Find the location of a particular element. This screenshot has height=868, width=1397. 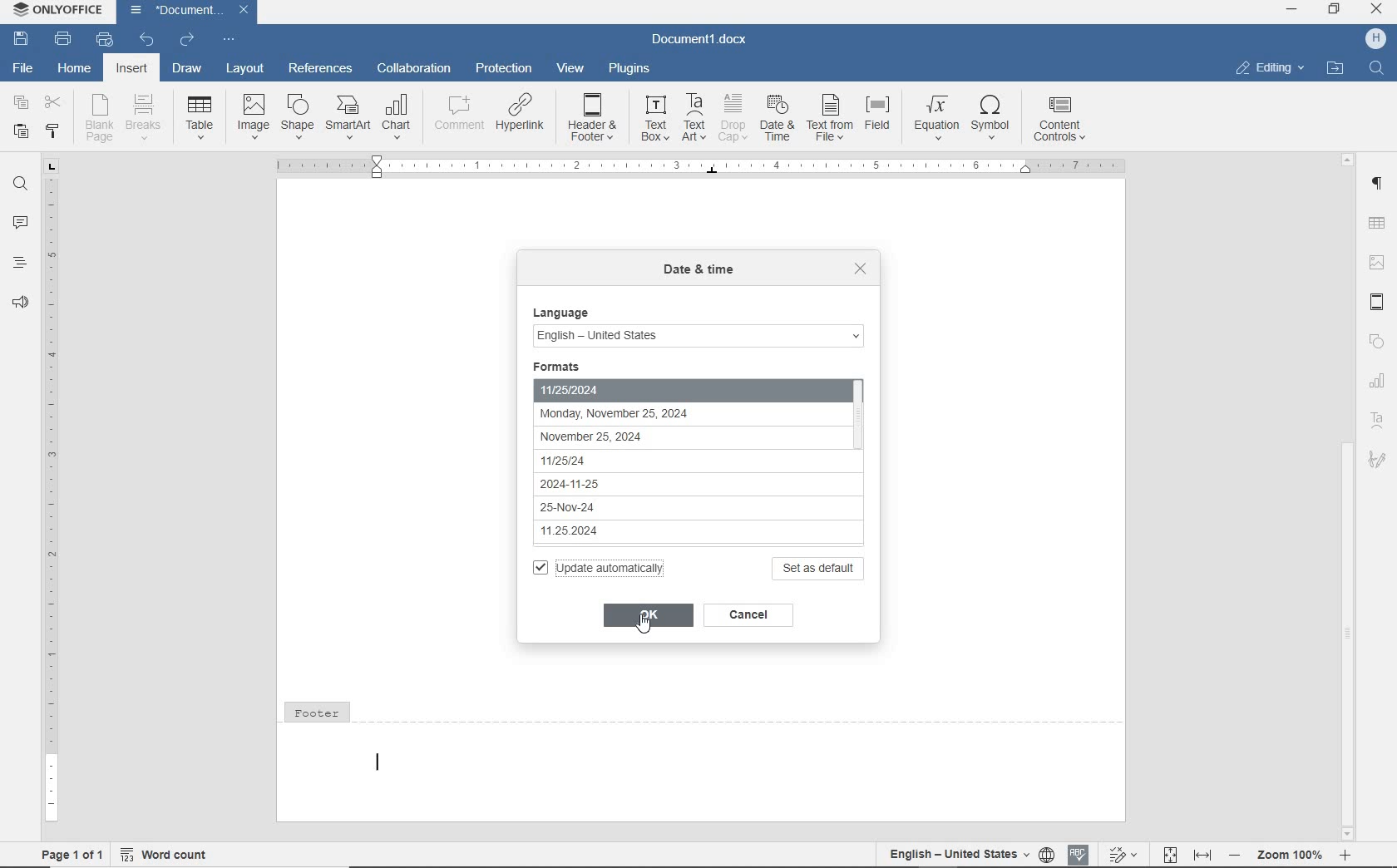

feedback & support is located at coordinates (19, 301).